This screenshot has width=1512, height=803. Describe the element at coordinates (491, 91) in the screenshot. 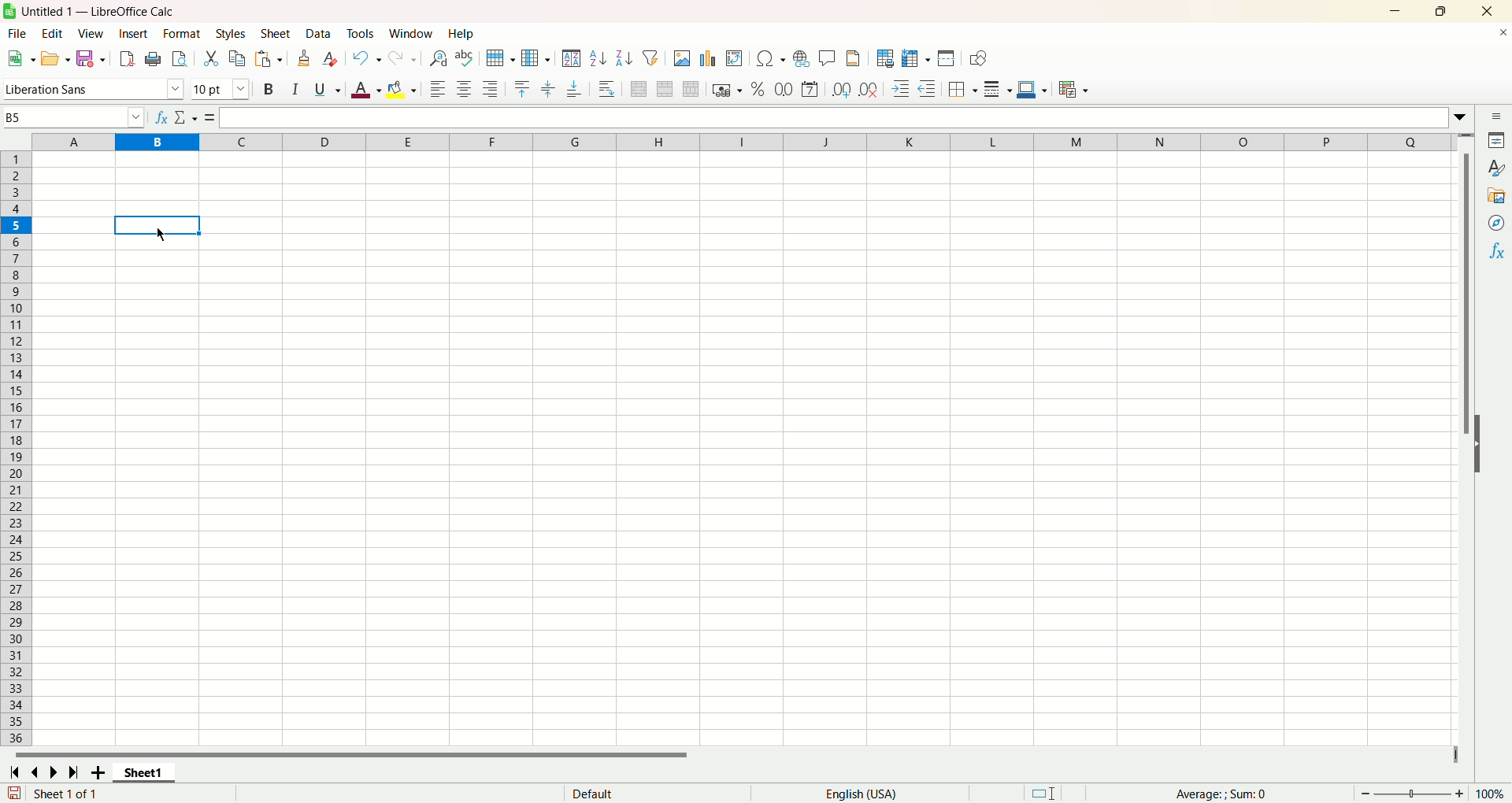

I see `align right` at that location.